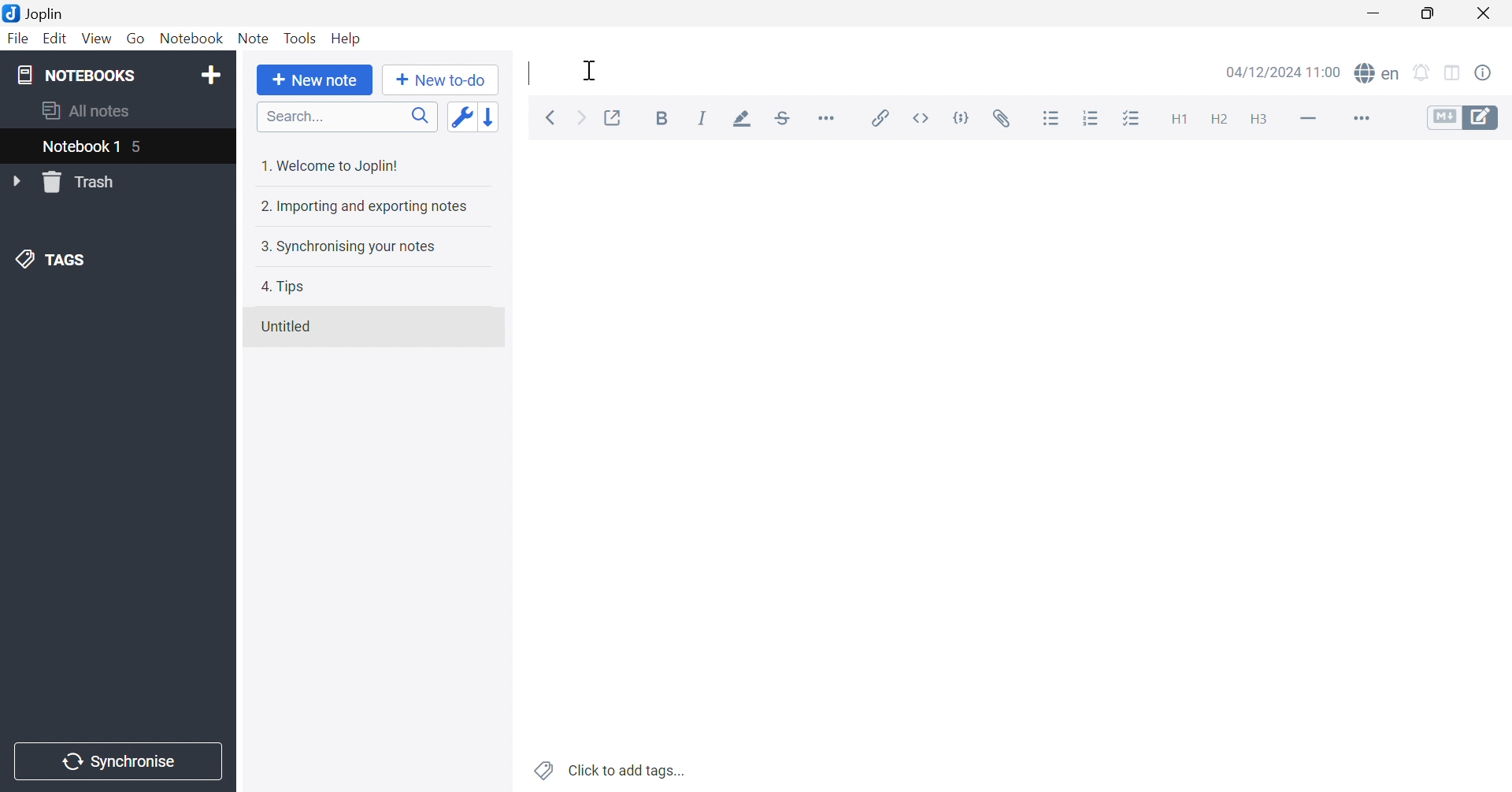 This screenshot has height=792, width=1512. What do you see at coordinates (84, 183) in the screenshot?
I see `Trash` at bounding box center [84, 183].